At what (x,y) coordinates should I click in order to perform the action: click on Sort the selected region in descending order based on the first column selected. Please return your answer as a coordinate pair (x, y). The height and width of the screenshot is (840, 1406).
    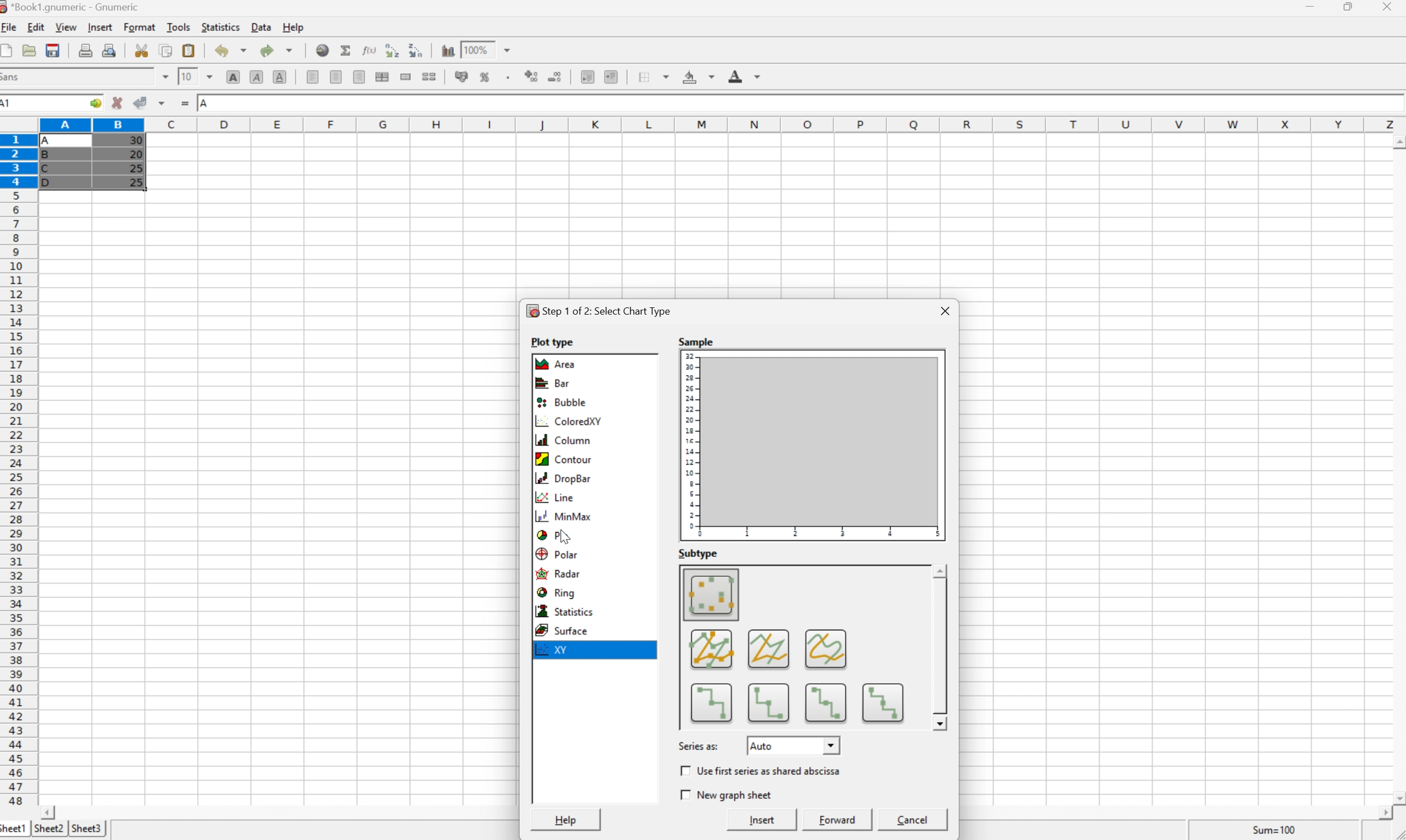
    Looking at the image, I should click on (415, 49).